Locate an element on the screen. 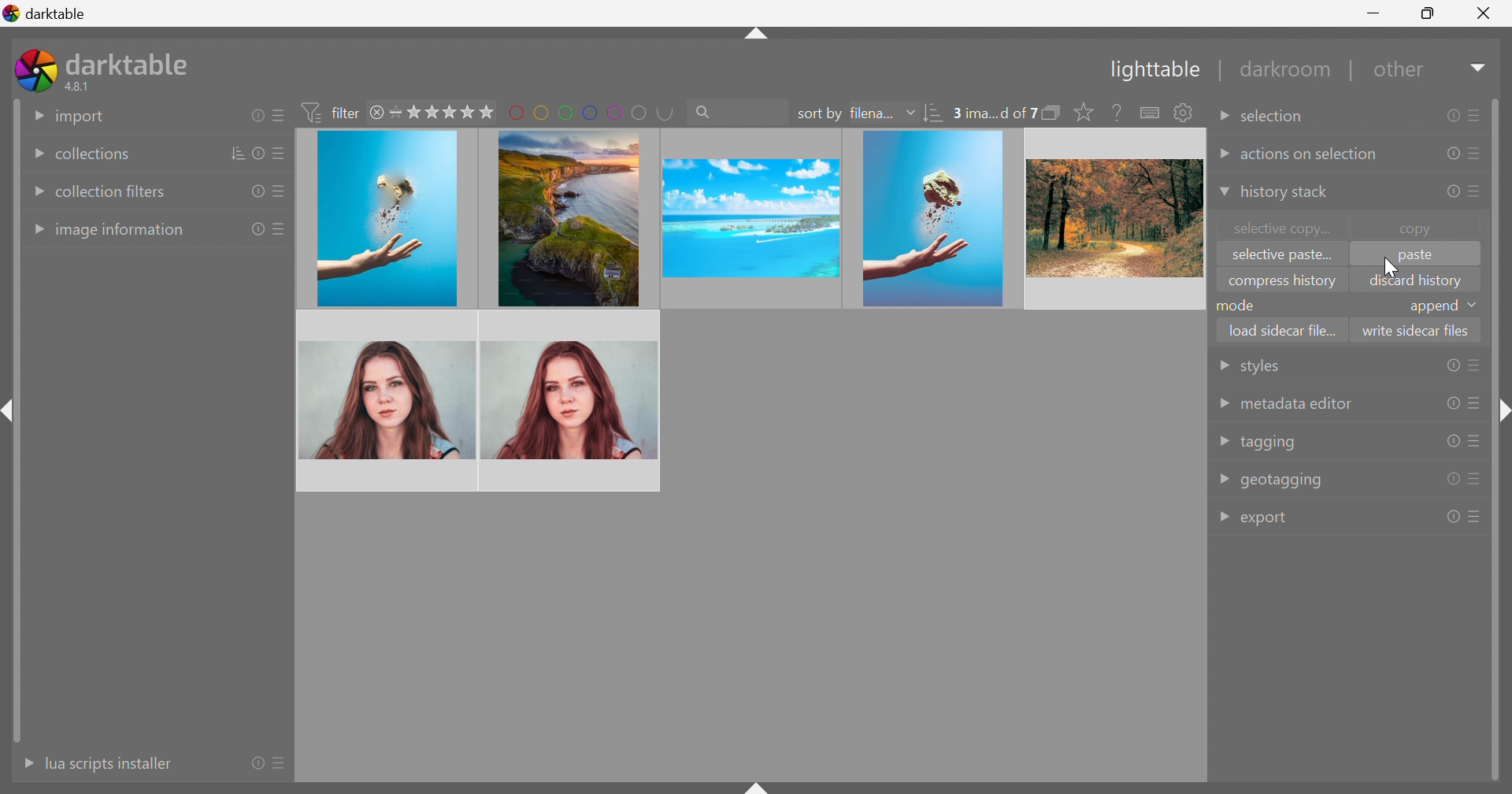 Image resolution: width=1512 pixels, height=794 pixels. 4.8.1 is located at coordinates (83, 87).